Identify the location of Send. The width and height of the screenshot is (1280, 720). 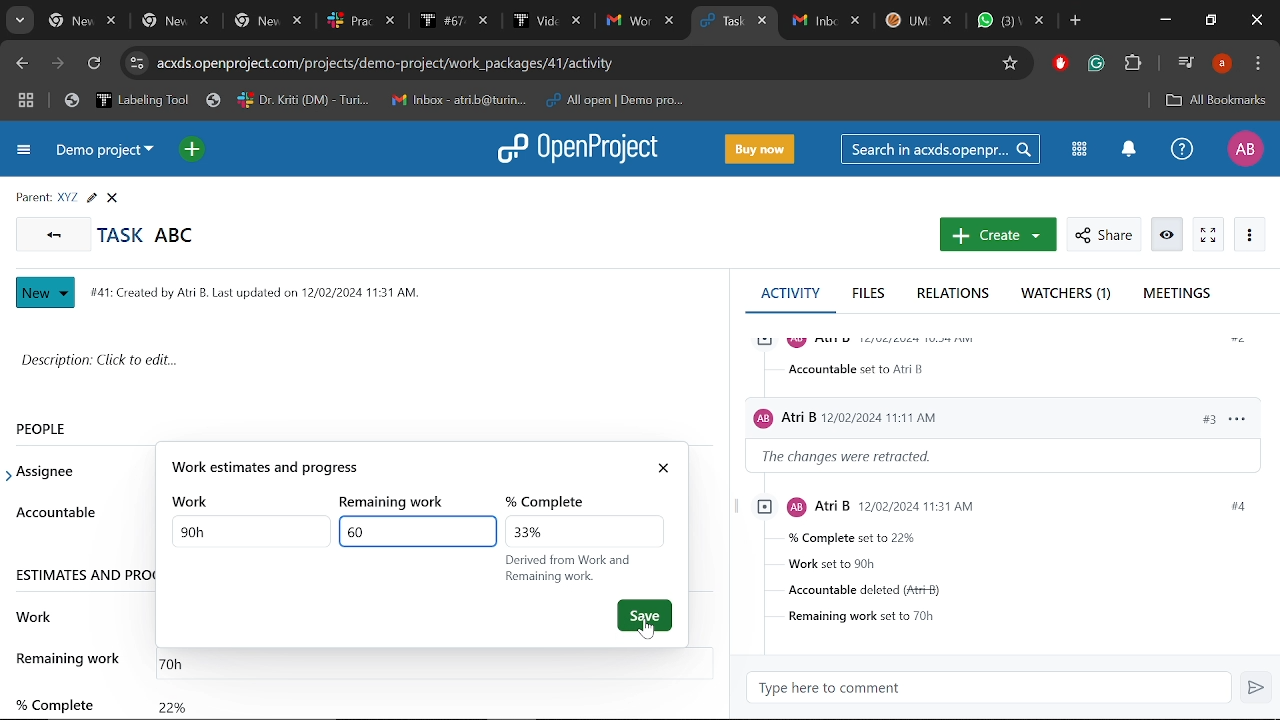
(1258, 689).